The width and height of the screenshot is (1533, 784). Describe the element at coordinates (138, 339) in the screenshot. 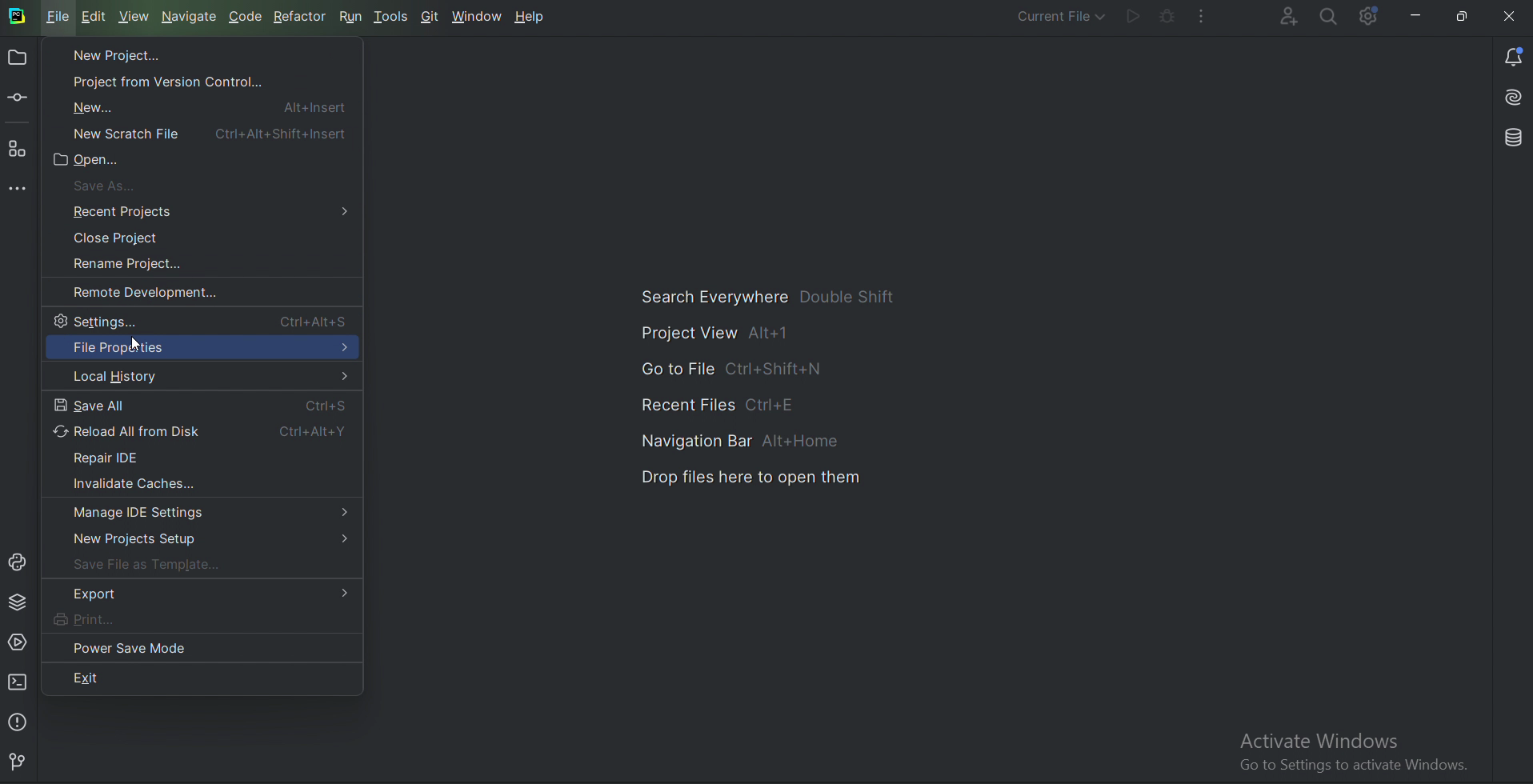

I see `Cursor` at that location.